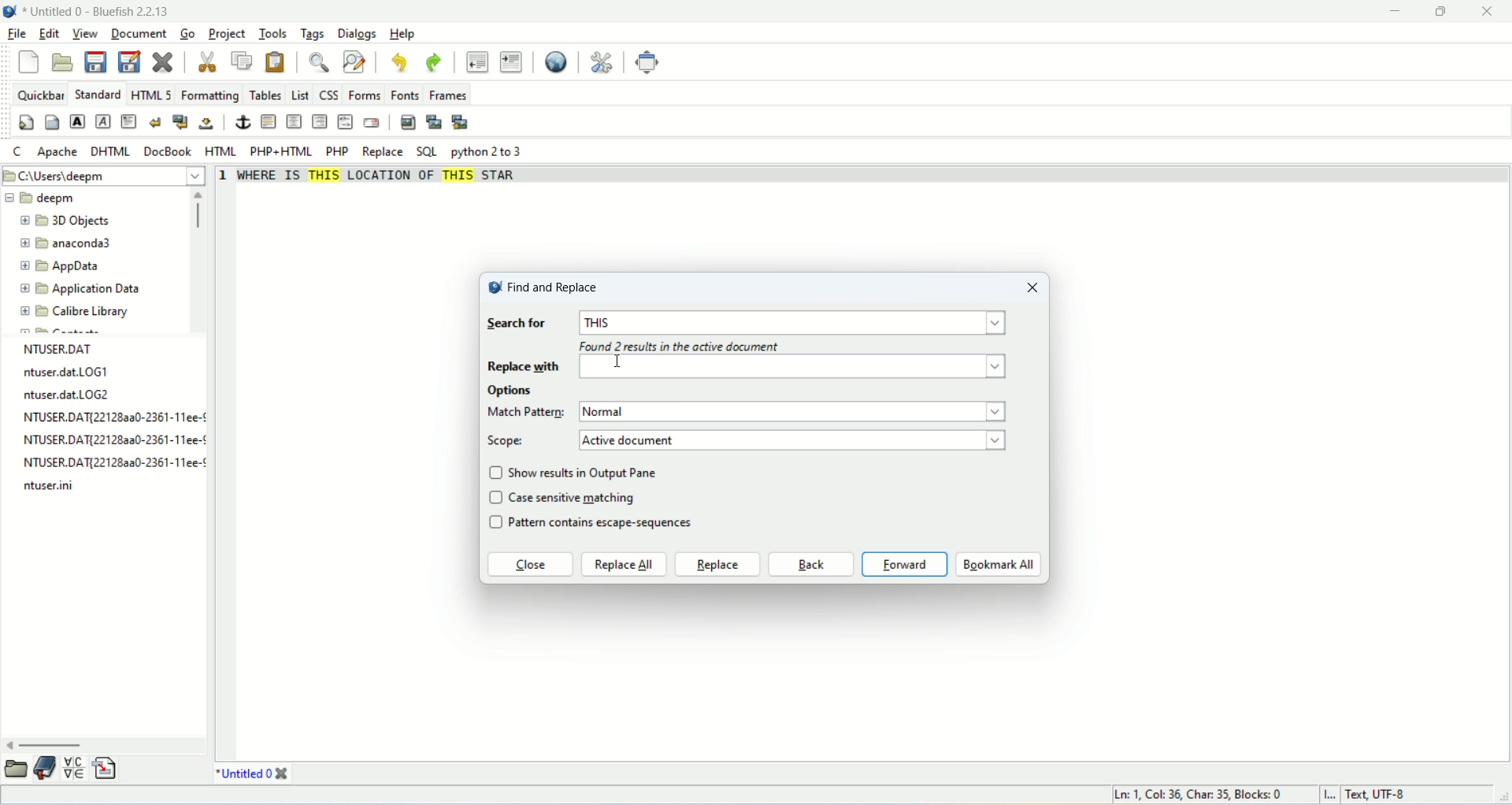 Image resolution: width=1512 pixels, height=805 pixels. What do you see at coordinates (750, 369) in the screenshot?
I see `replace with` at bounding box center [750, 369].